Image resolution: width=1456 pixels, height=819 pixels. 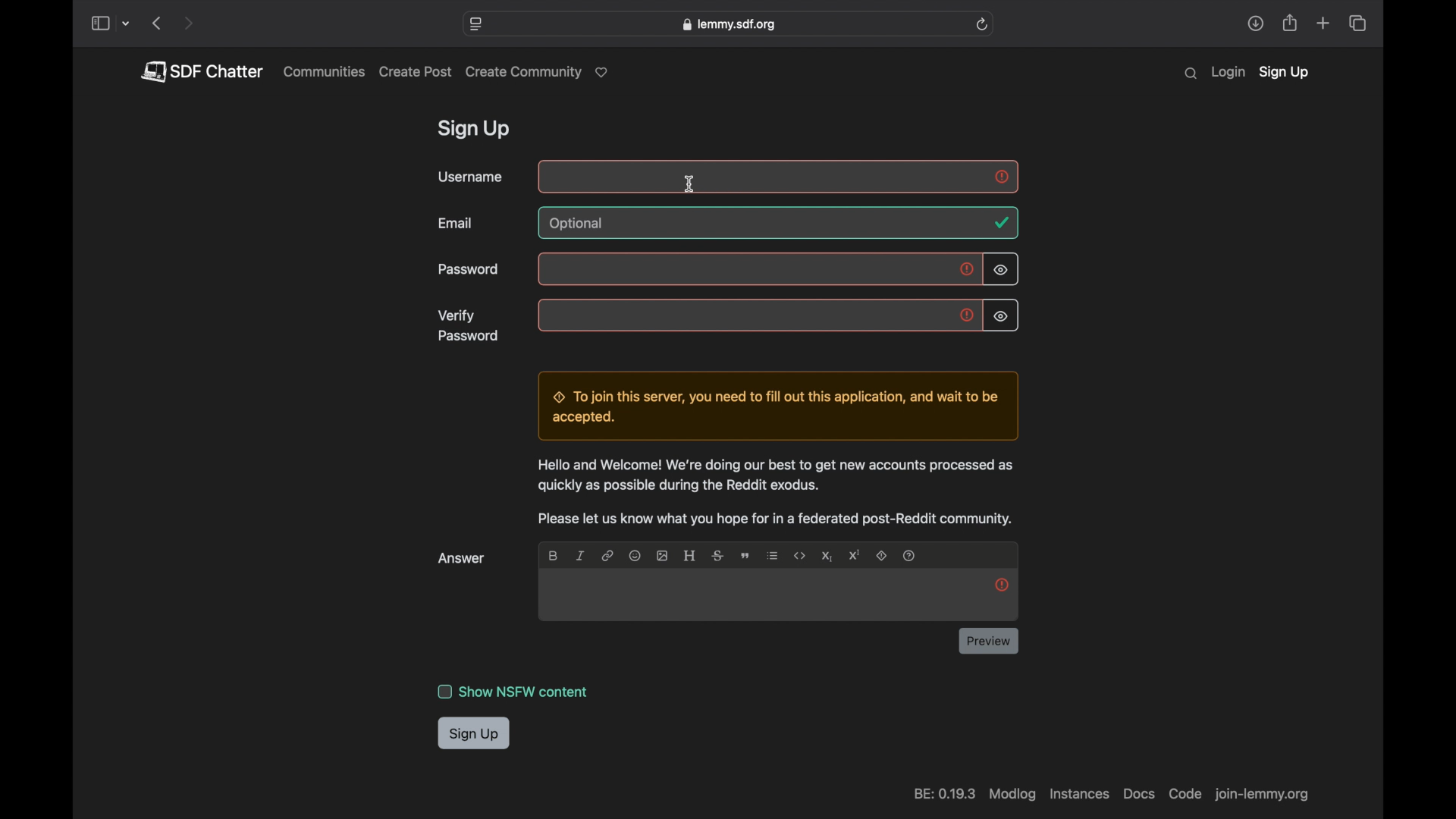 I want to click on username, so click(x=470, y=177).